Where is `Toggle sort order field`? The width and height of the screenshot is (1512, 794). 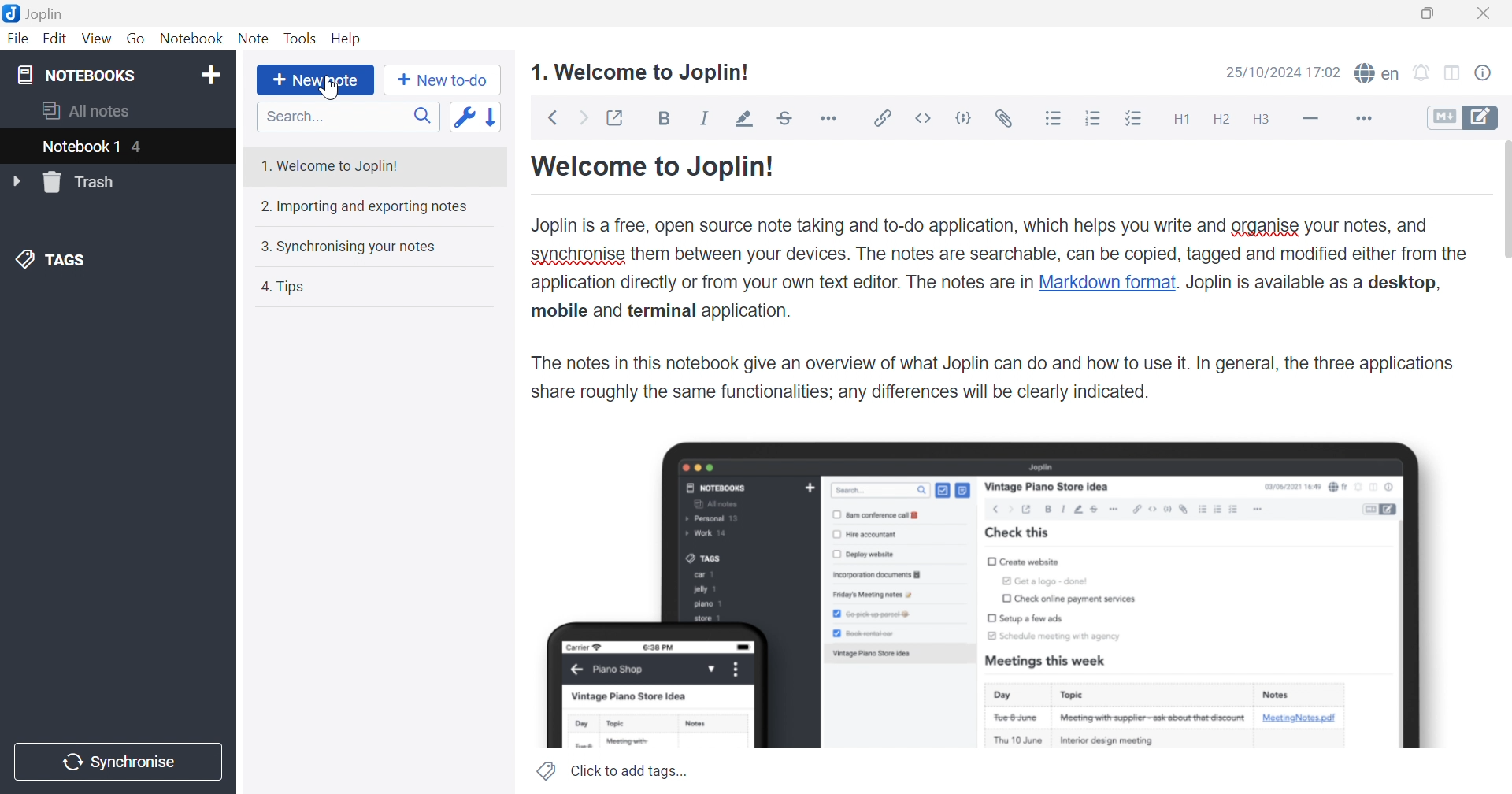 Toggle sort order field is located at coordinates (462, 117).